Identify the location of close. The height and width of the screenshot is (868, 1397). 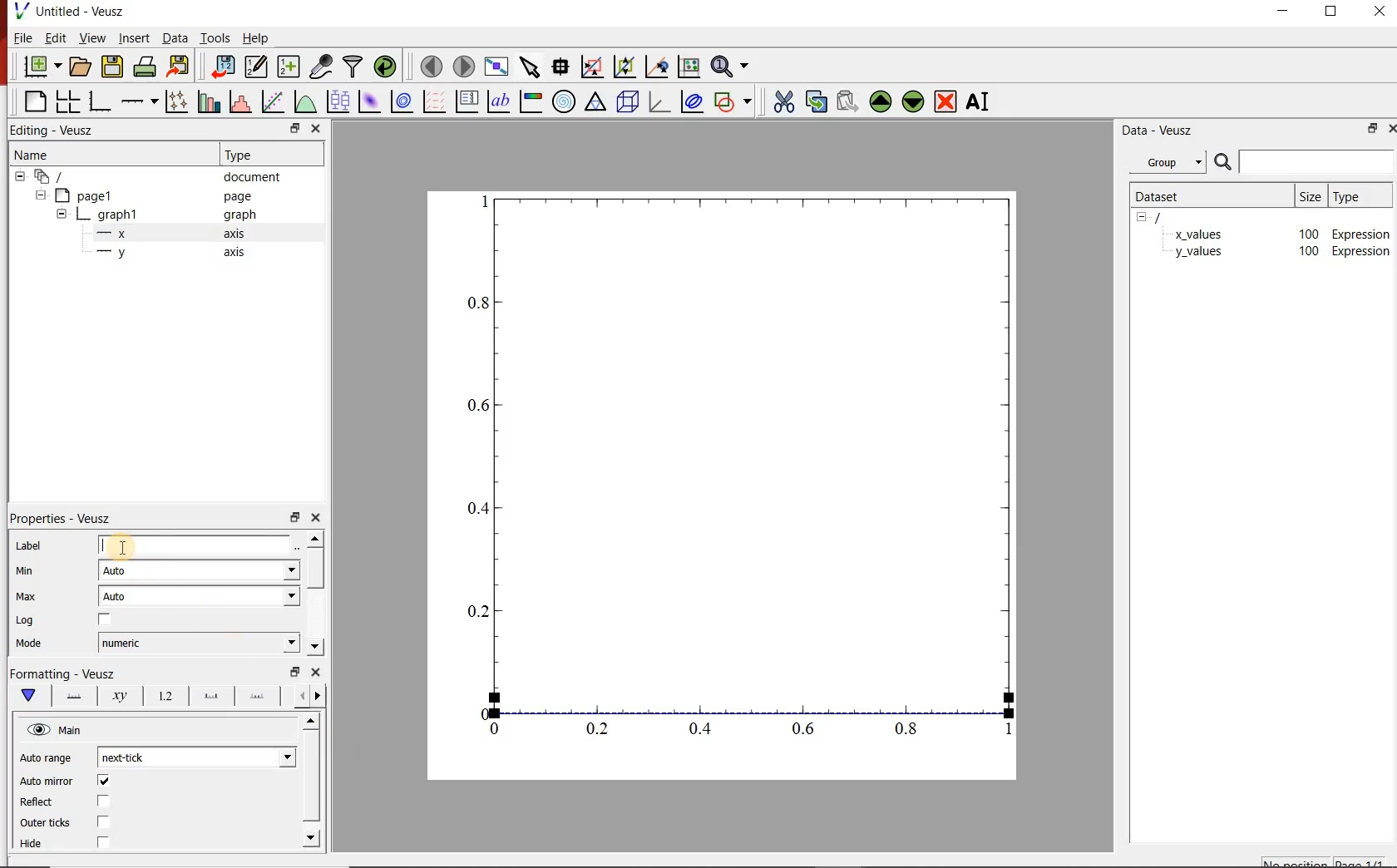
(317, 128).